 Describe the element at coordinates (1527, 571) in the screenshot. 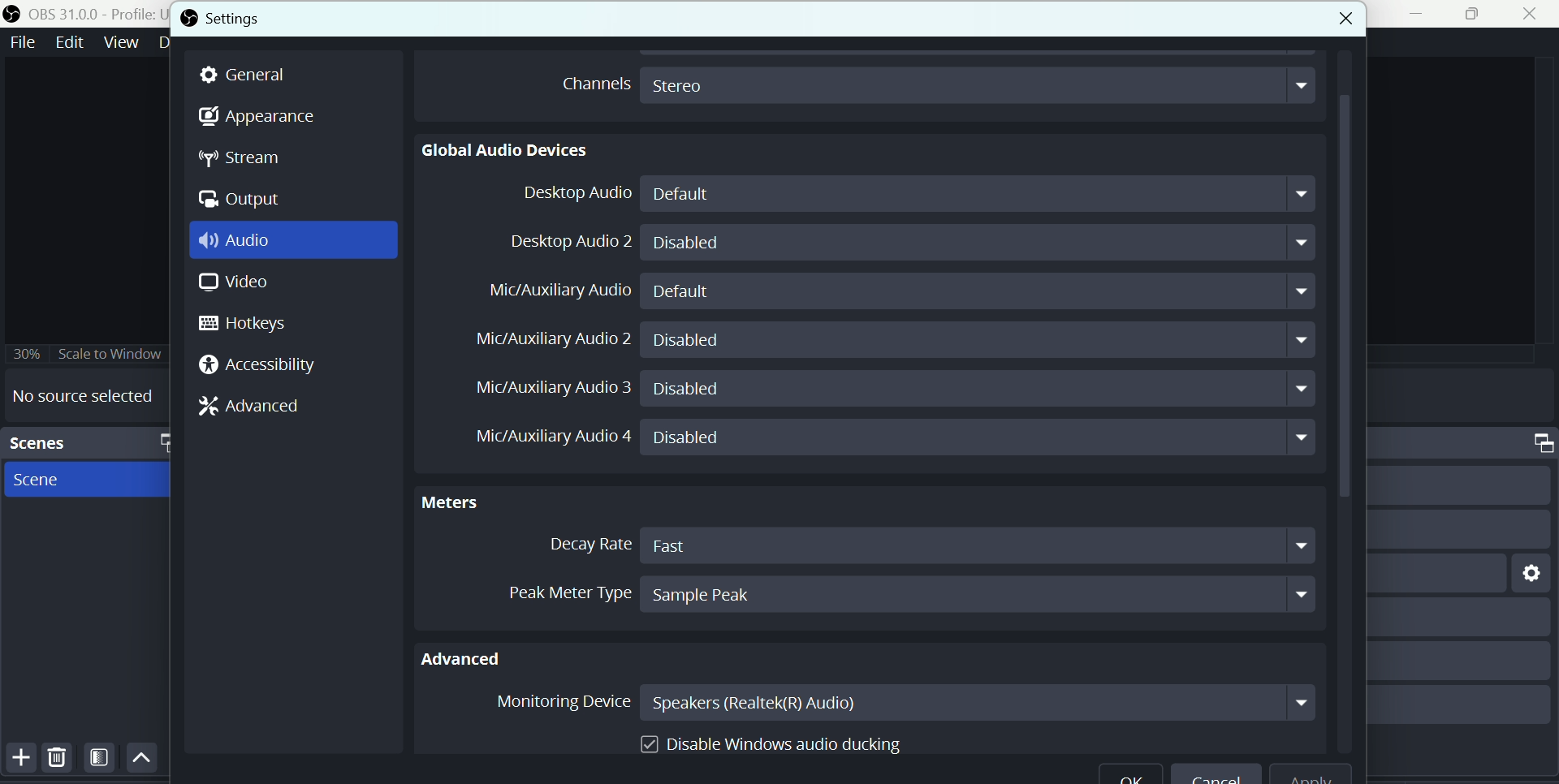

I see `setting` at that location.